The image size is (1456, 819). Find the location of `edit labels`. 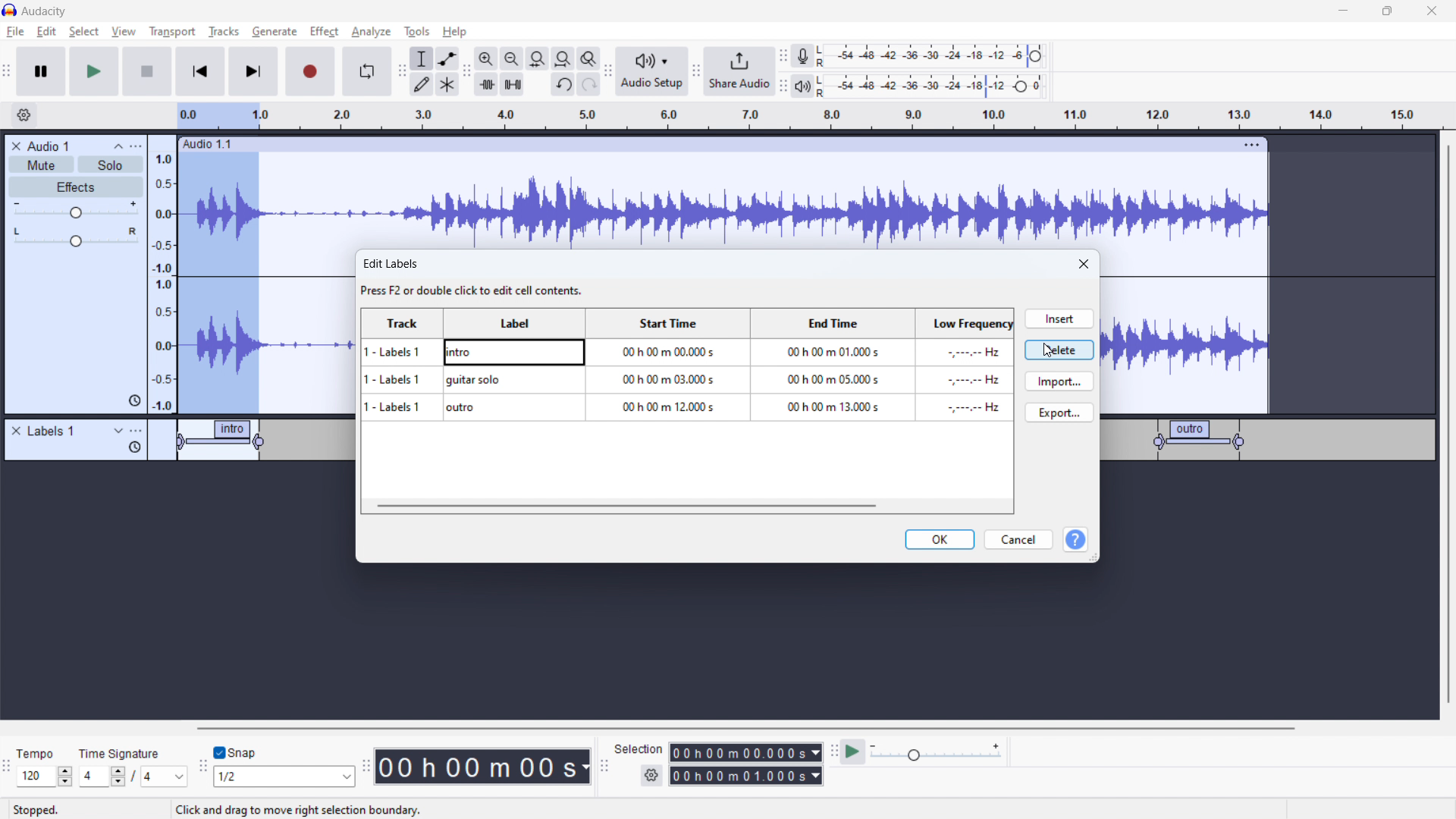

edit labels is located at coordinates (475, 278).